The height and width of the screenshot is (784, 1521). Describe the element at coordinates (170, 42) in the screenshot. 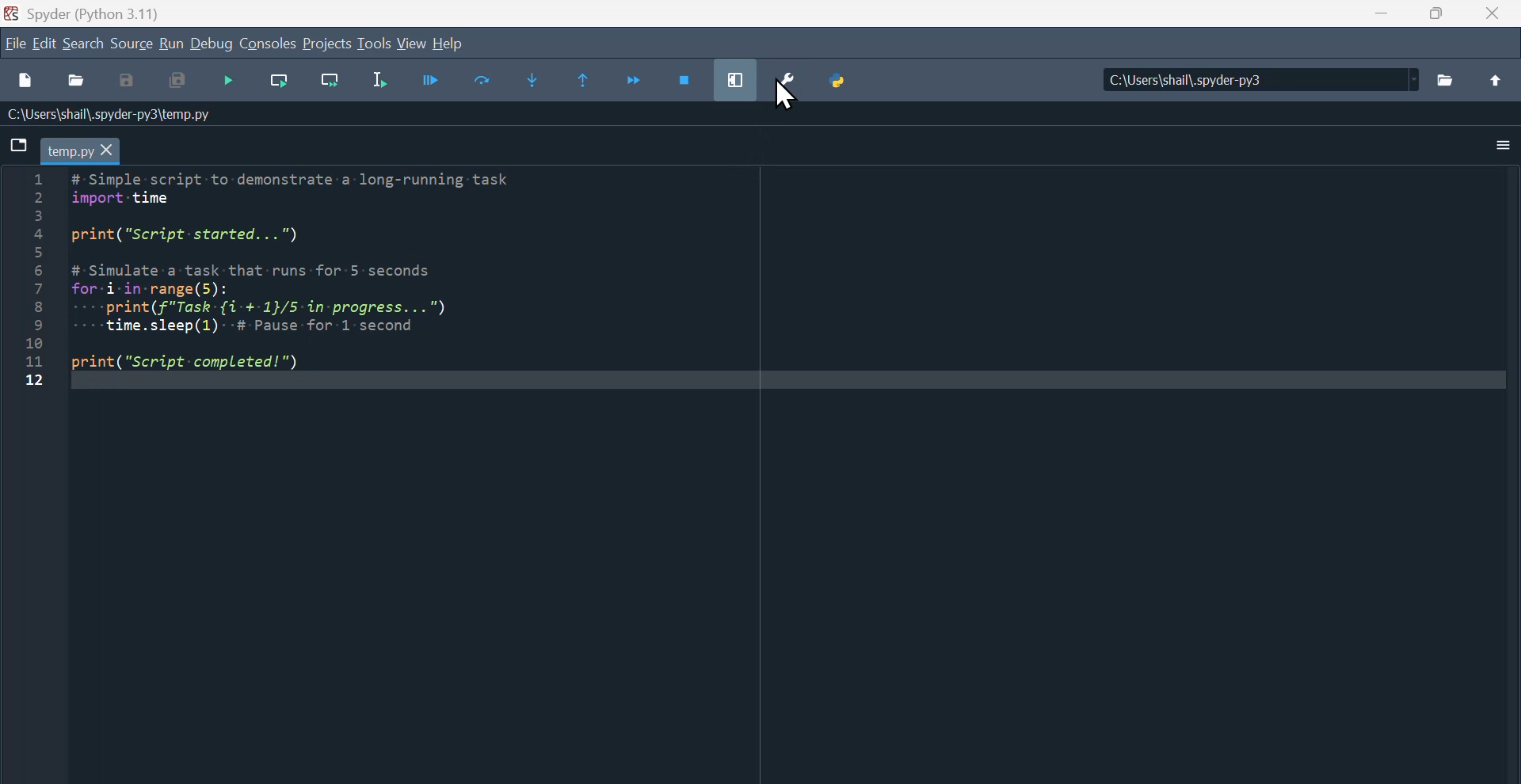

I see `run` at that location.